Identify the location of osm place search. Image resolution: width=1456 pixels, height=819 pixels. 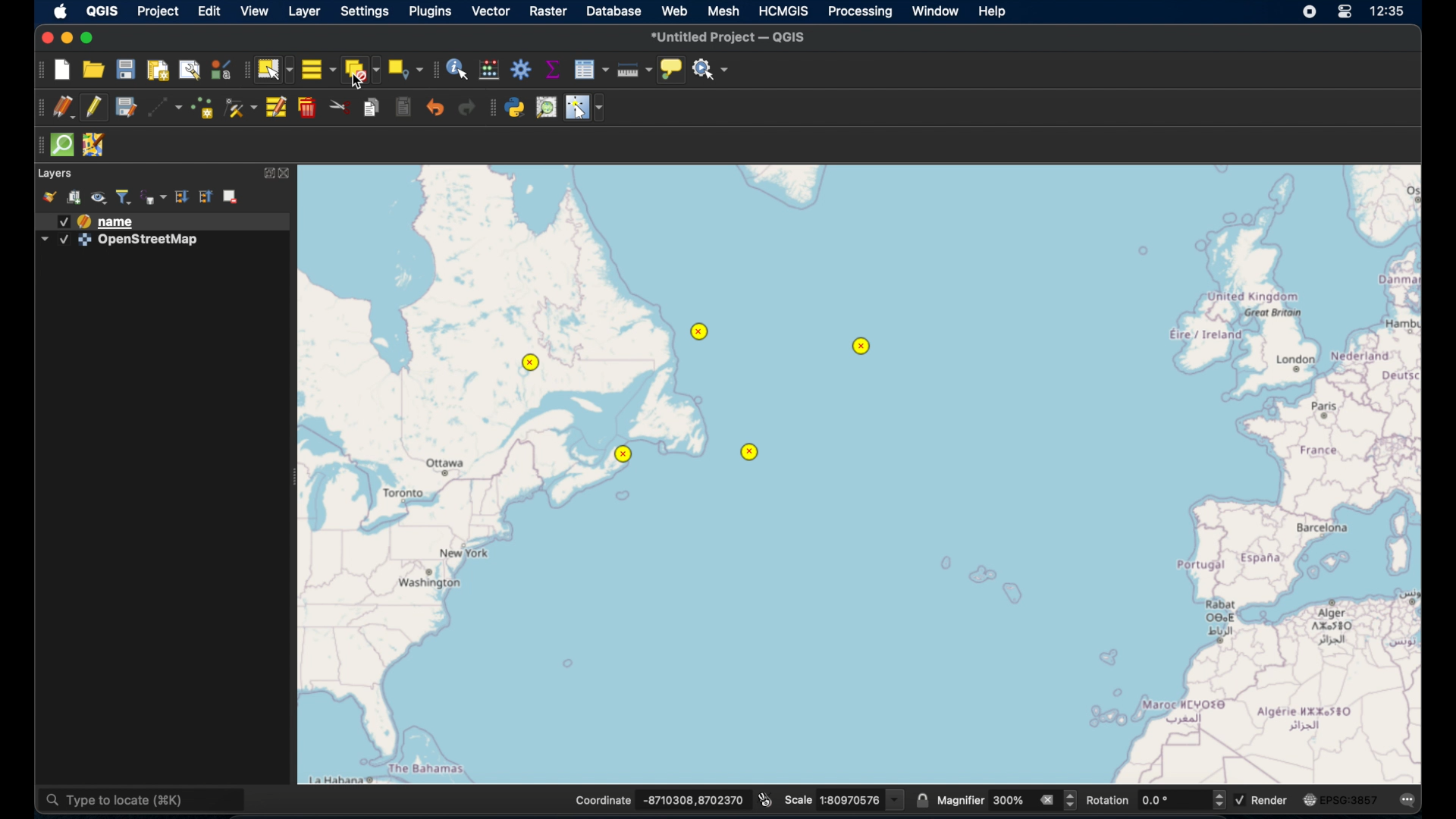
(548, 108).